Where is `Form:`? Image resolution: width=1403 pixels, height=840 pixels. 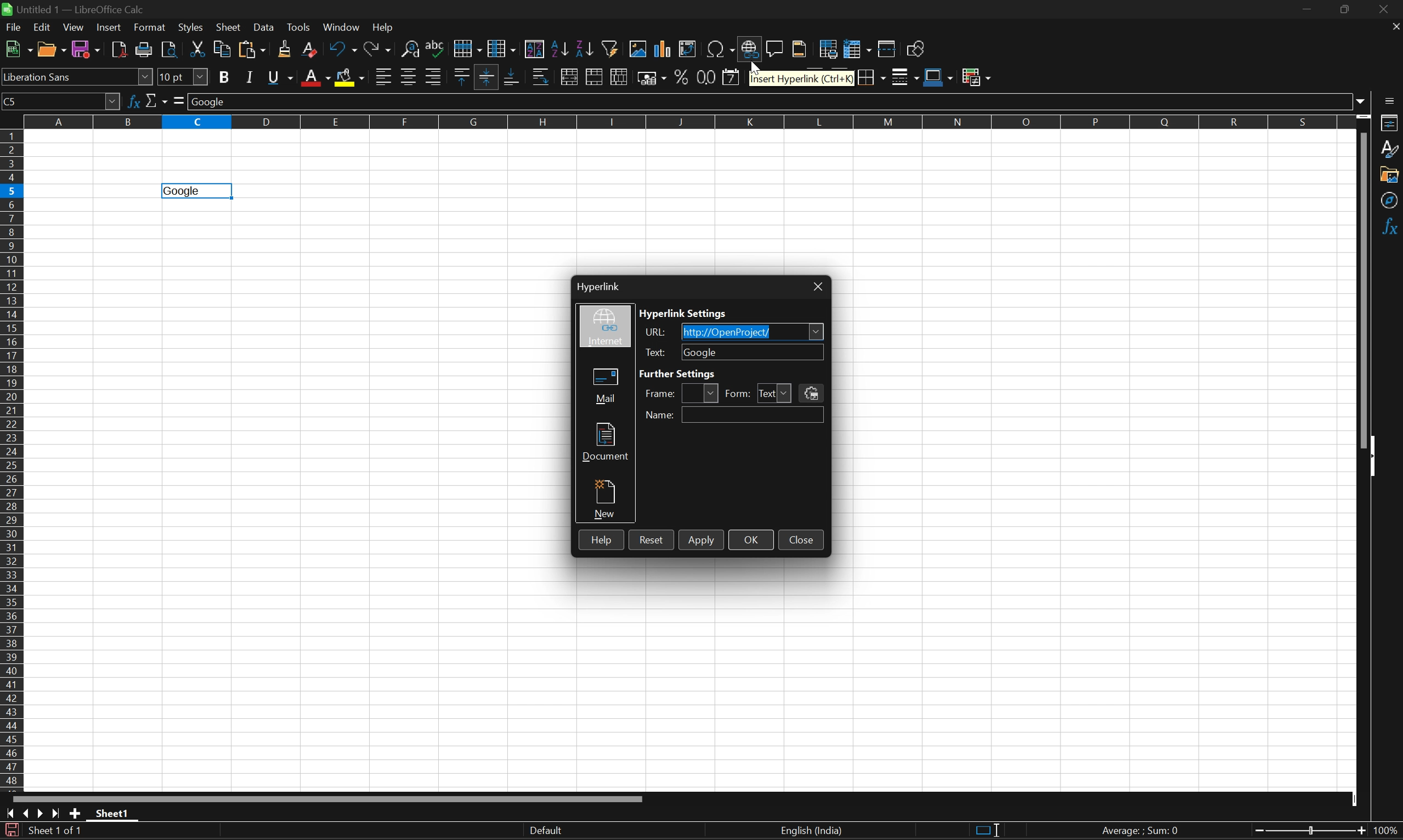 Form: is located at coordinates (739, 392).